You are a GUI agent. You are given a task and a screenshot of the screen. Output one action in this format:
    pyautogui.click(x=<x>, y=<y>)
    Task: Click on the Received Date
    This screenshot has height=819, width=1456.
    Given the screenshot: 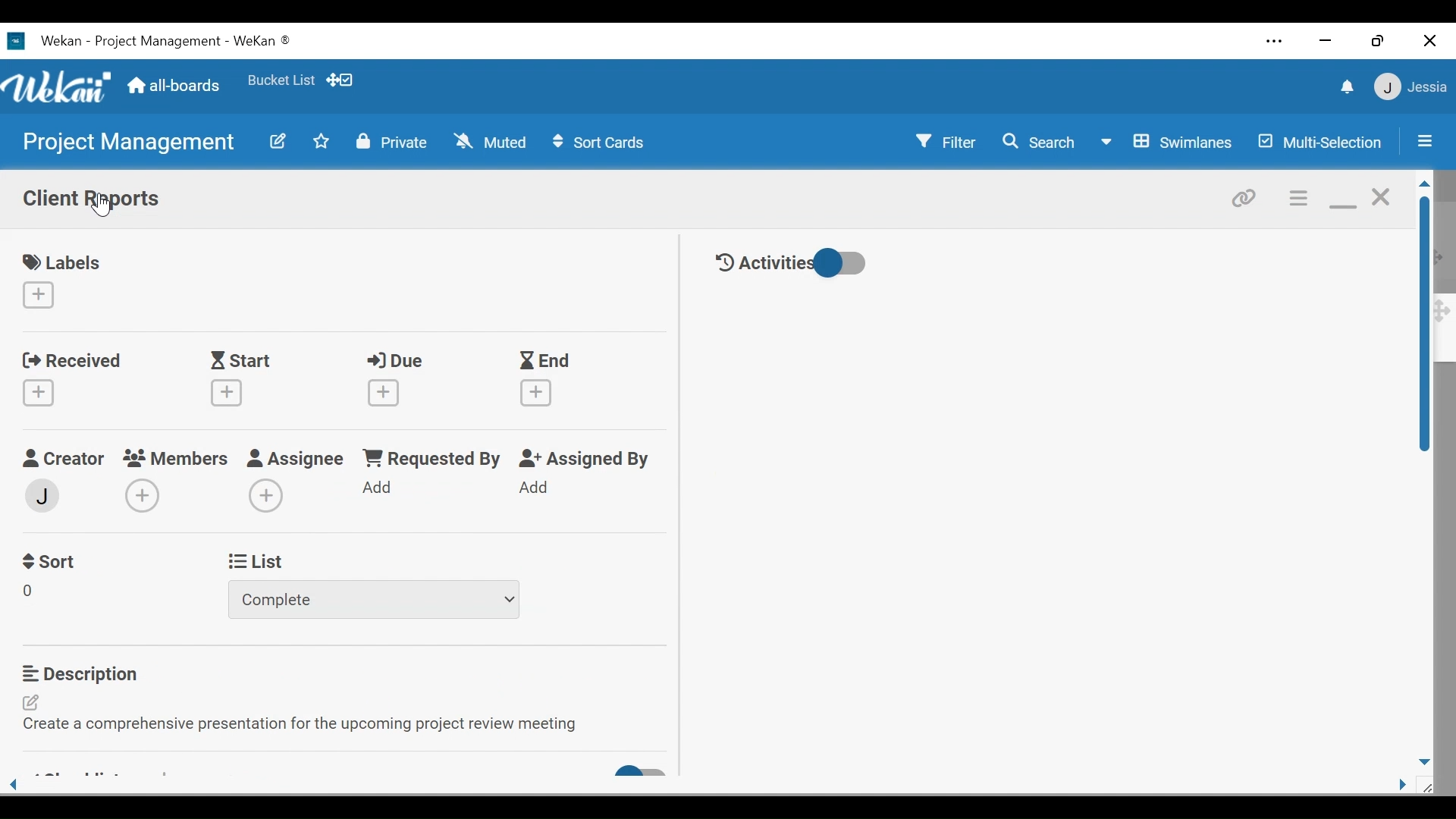 What is the action you would take?
    pyautogui.click(x=71, y=359)
    